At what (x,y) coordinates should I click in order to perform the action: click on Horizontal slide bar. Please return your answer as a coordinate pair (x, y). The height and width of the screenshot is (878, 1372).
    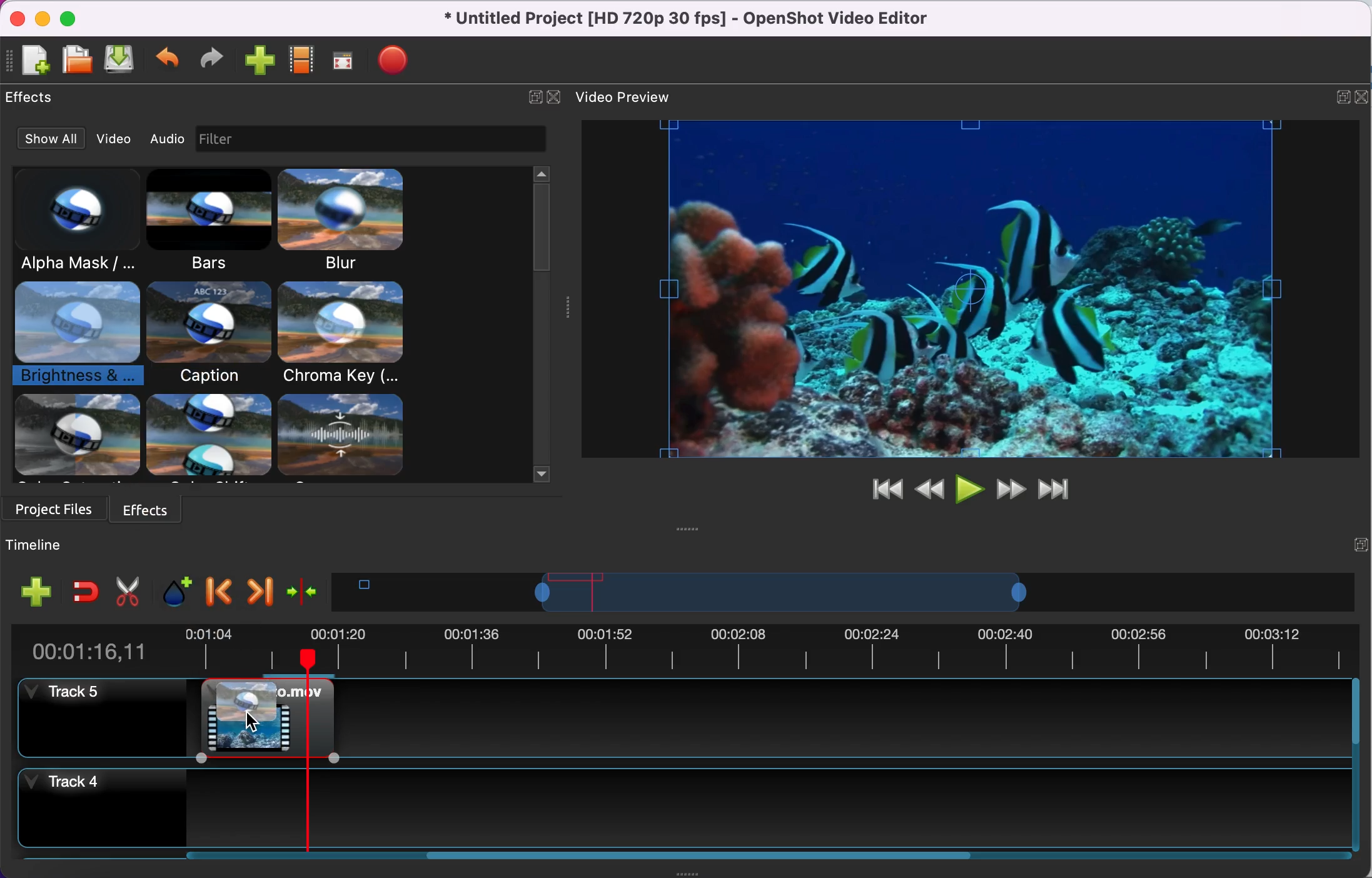
    Looking at the image, I should click on (753, 855).